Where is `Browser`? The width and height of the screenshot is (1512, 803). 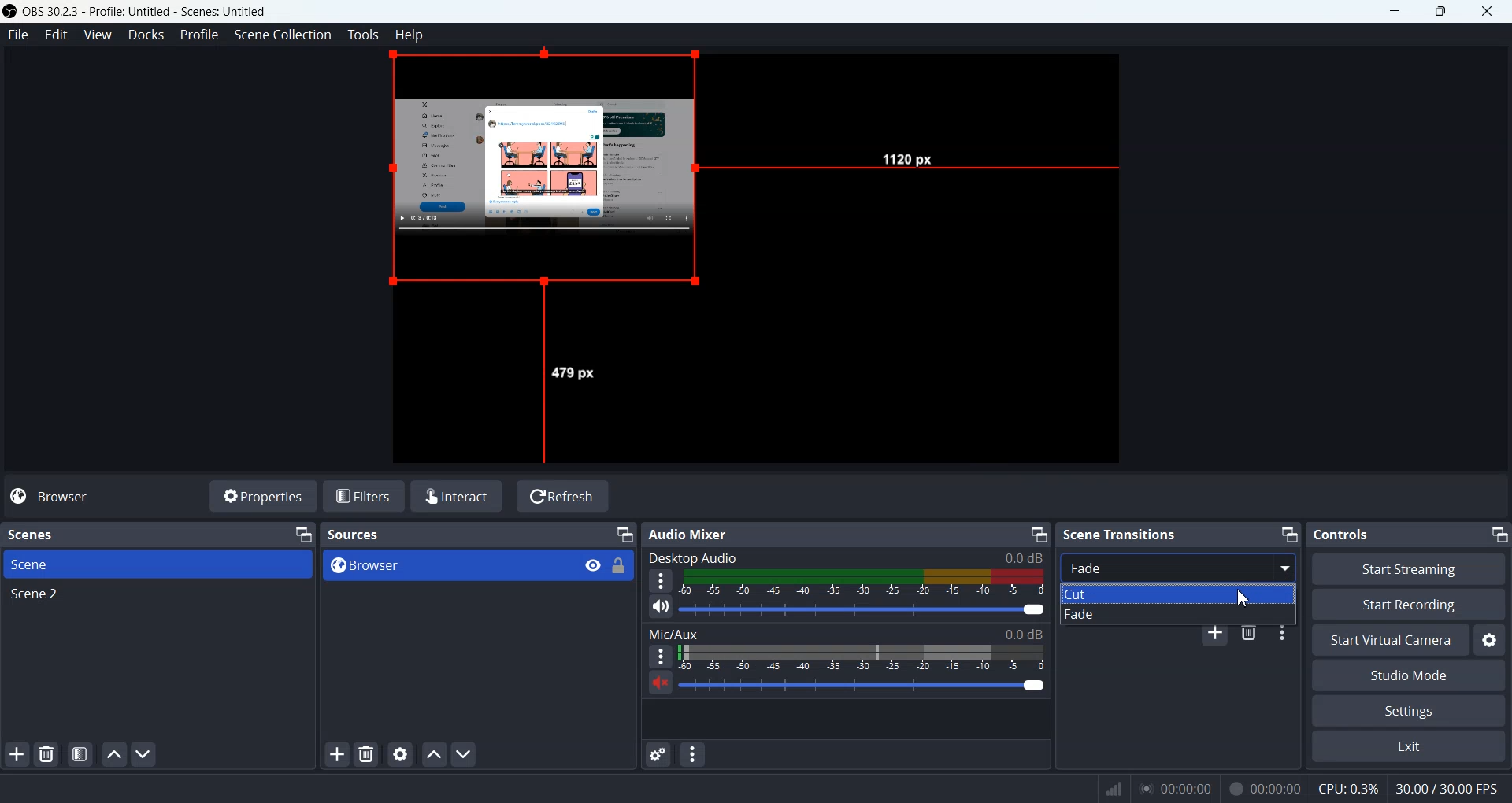
Browser is located at coordinates (450, 566).